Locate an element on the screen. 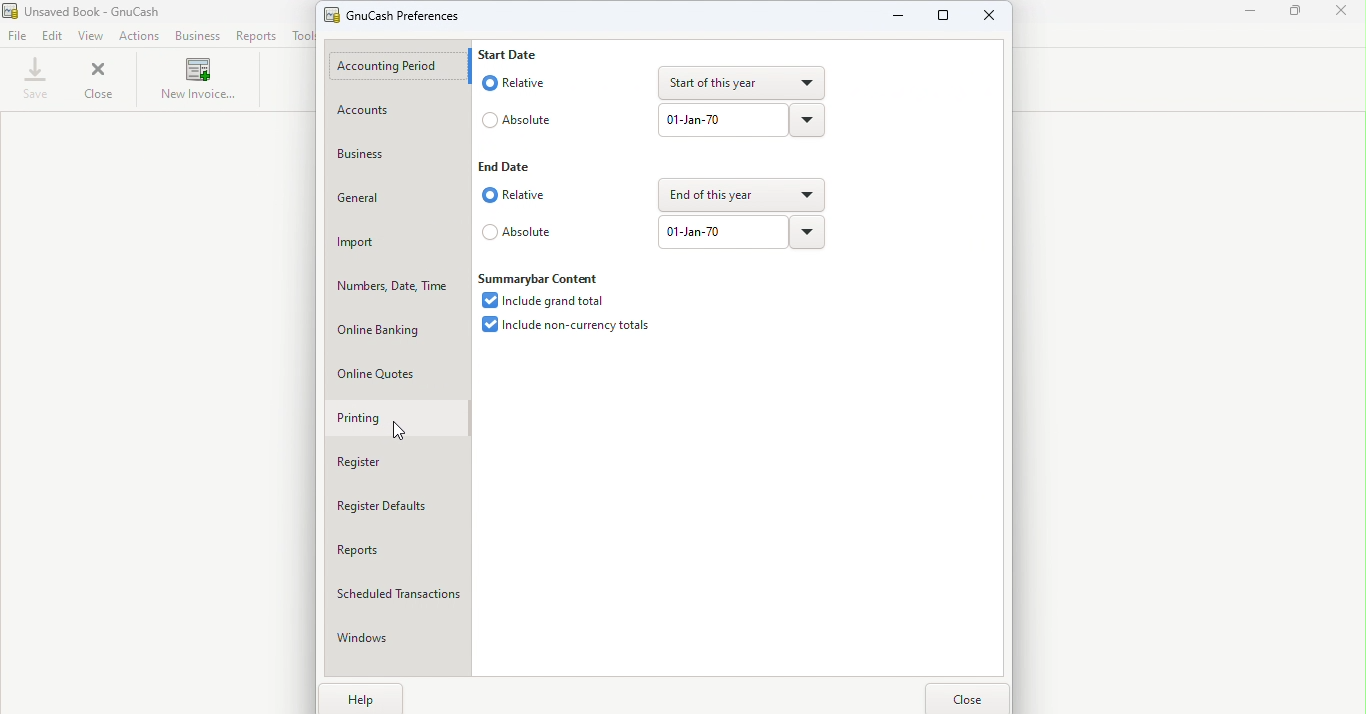  Maximize is located at coordinates (943, 17).